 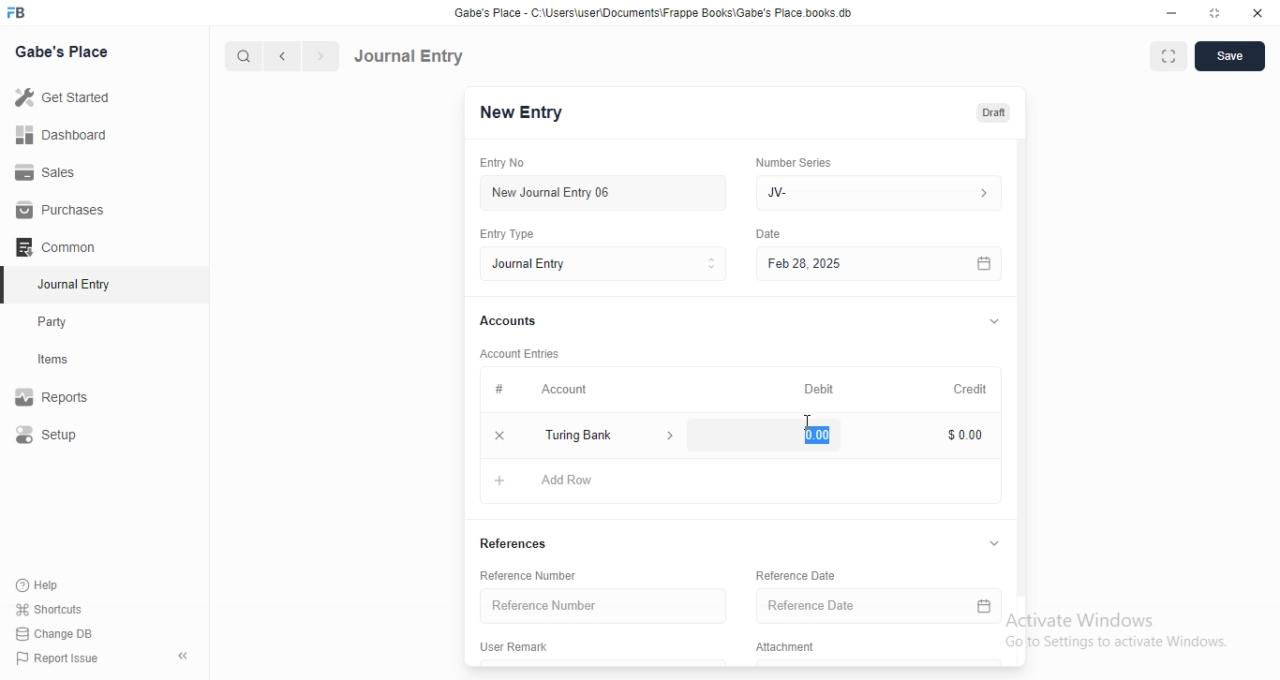 What do you see at coordinates (820, 388) in the screenshot?
I see `Debit` at bounding box center [820, 388].